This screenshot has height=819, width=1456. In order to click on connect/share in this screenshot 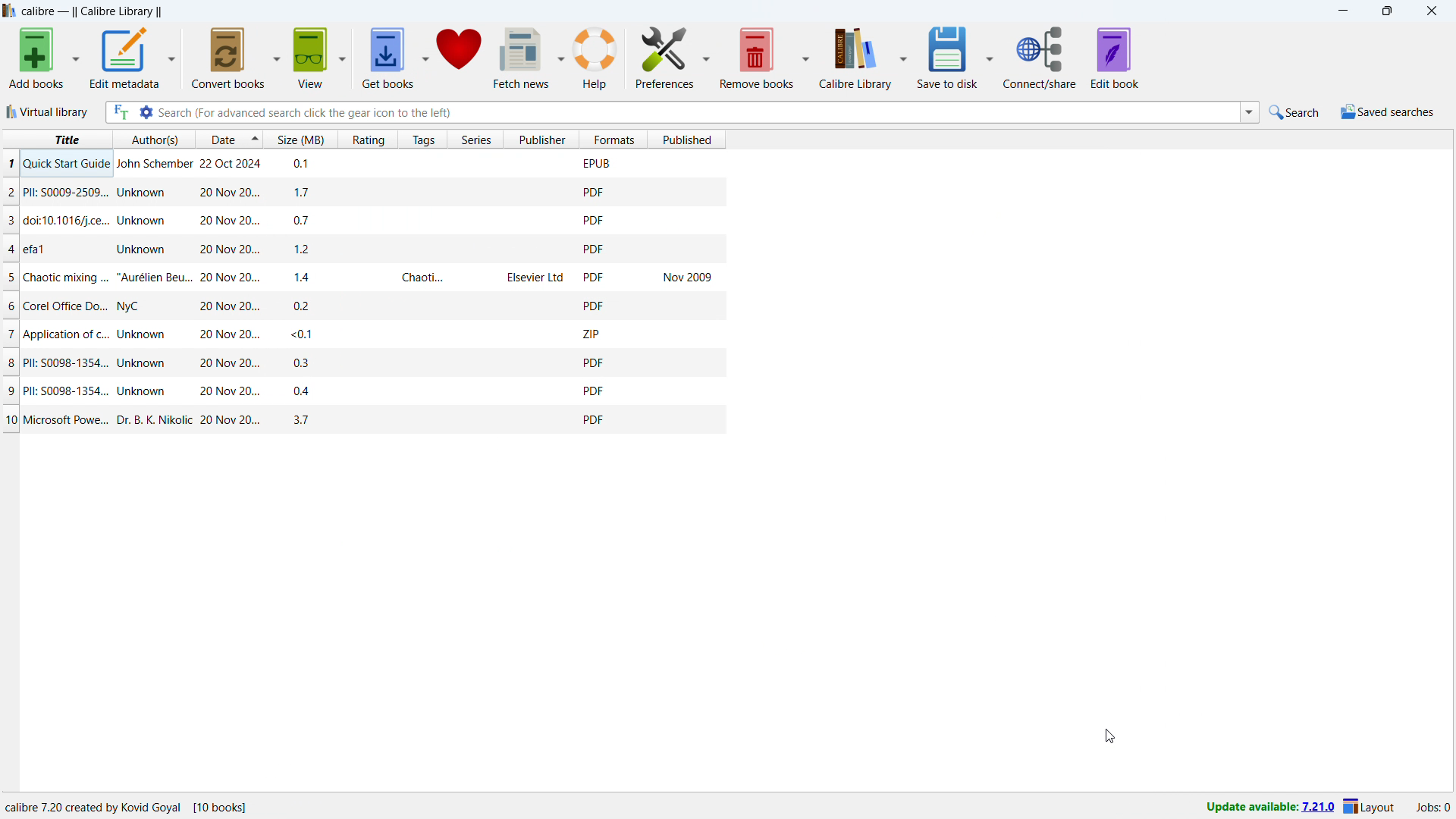, I will do `click(1040, 58)`.